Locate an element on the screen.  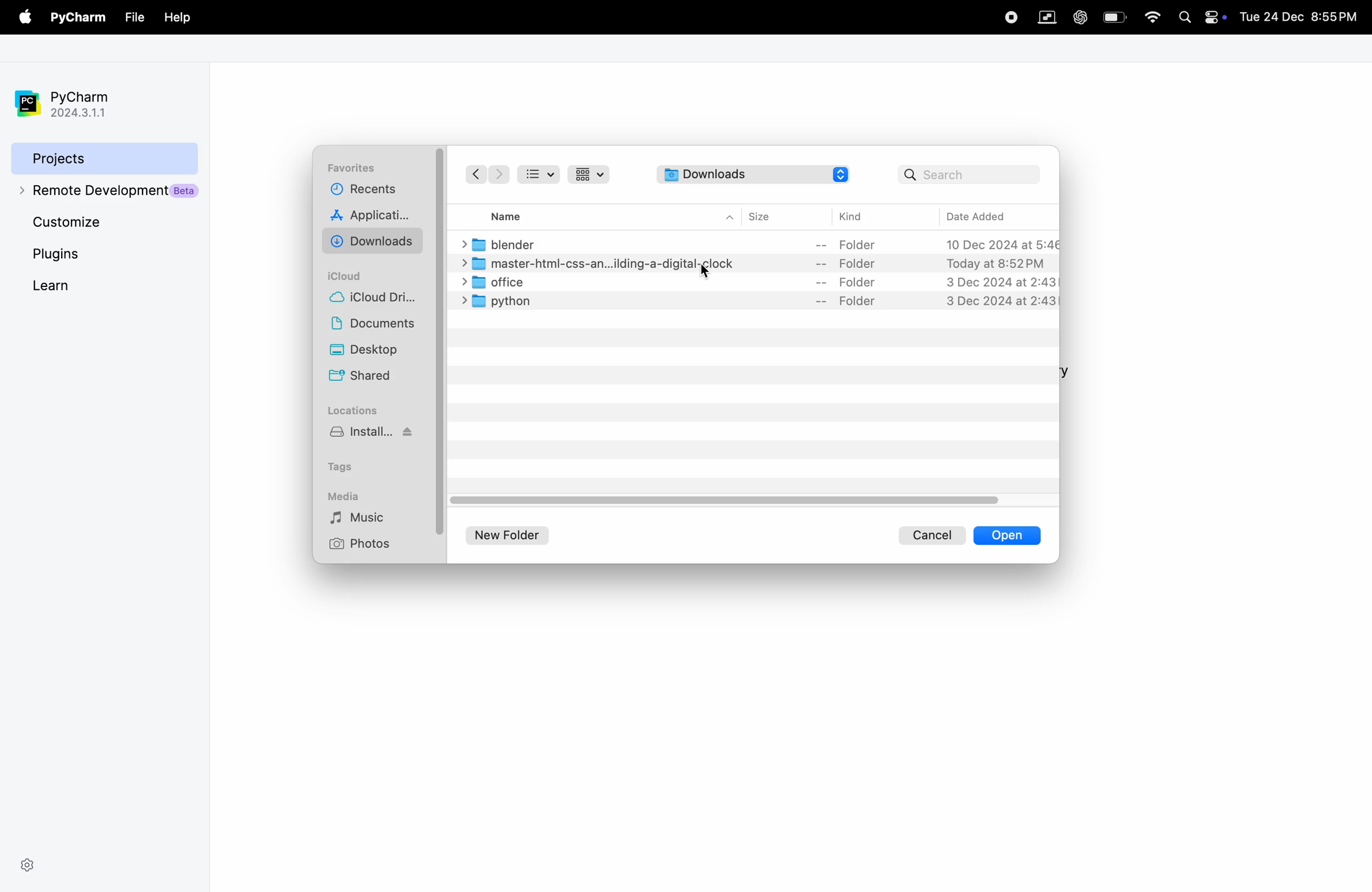
settings is located at coordinates (27, 863).